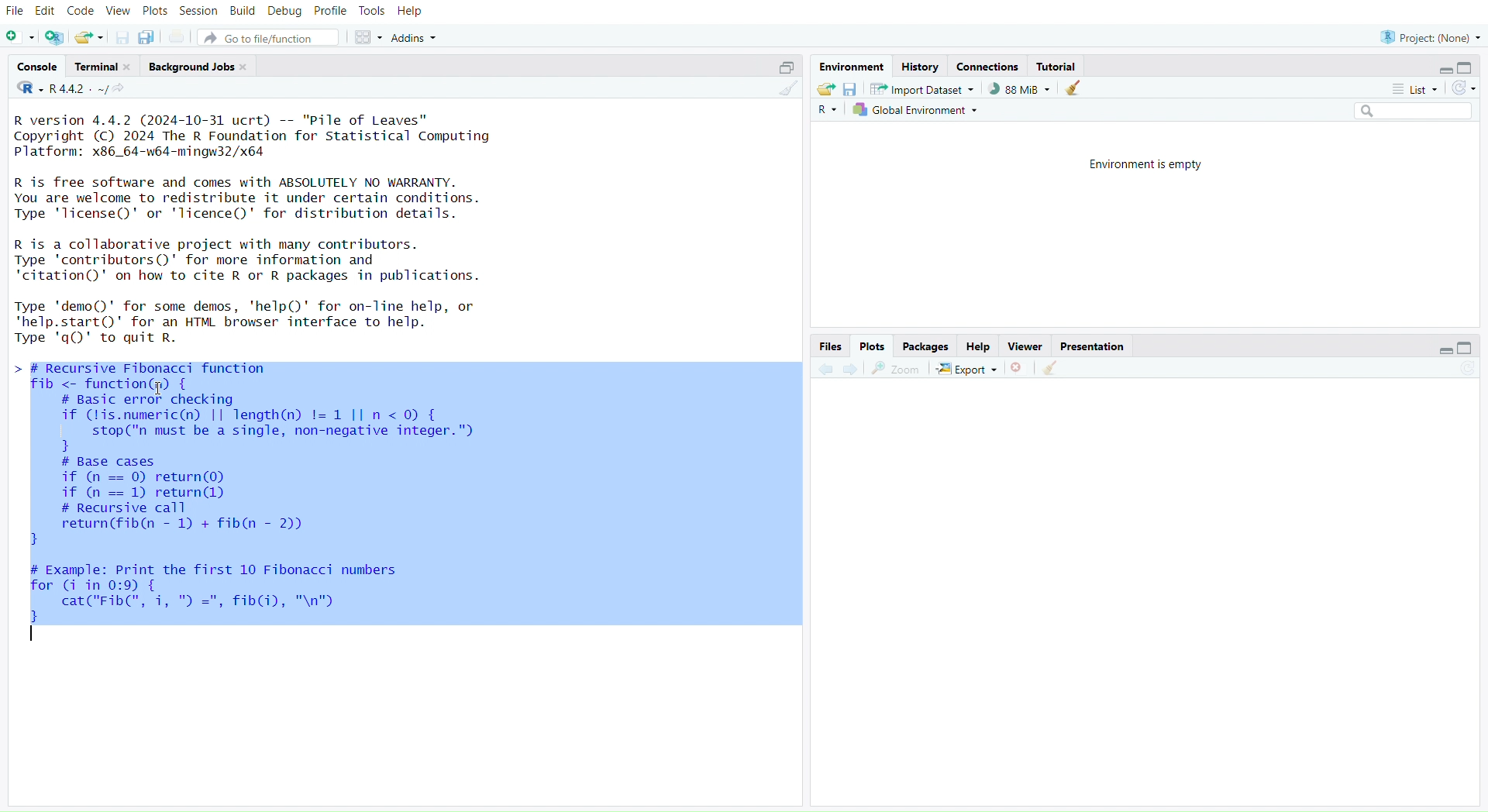  I want to click on open an existing file, so click(88, 39).